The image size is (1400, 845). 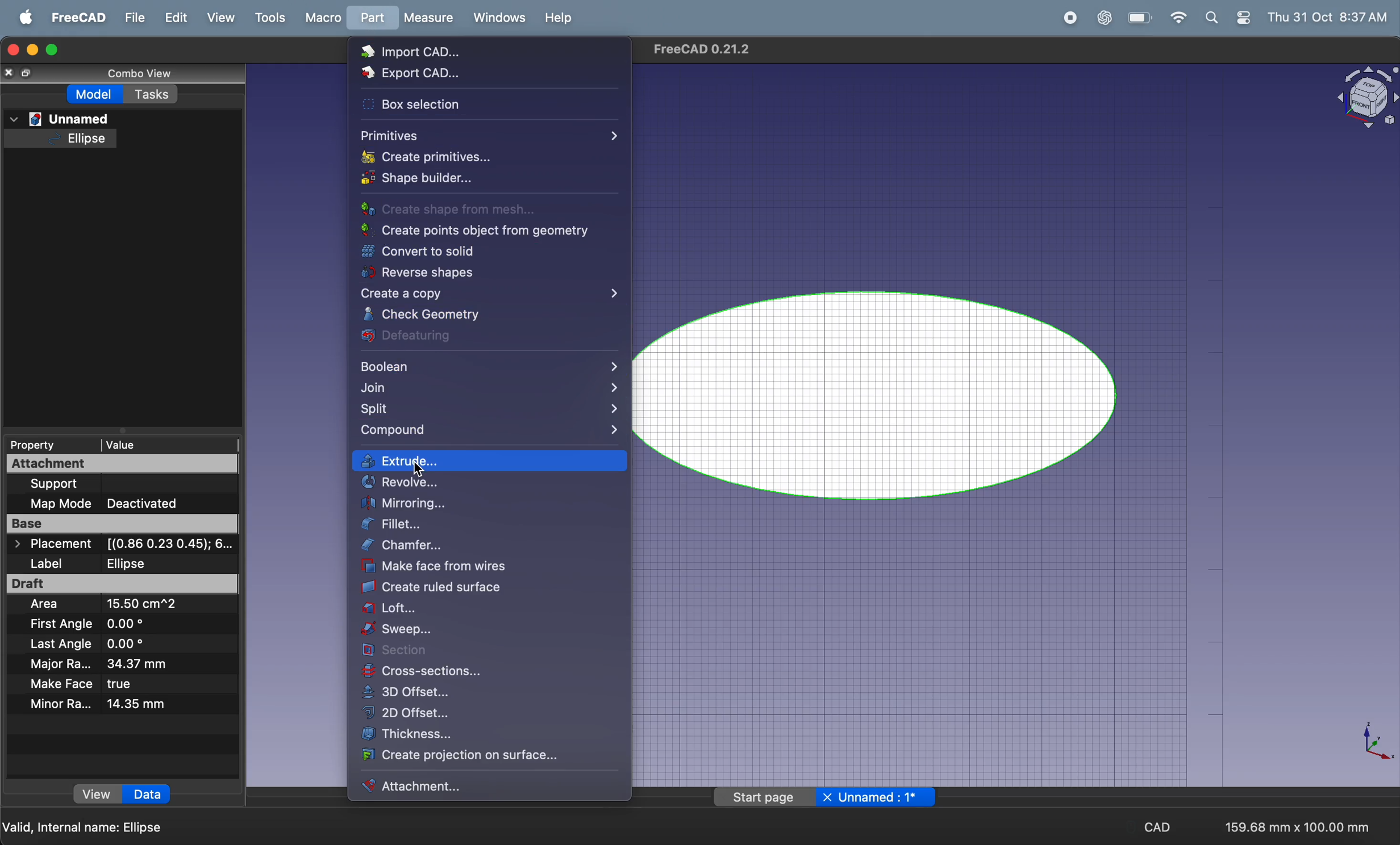 I want to click on support, so click(x=56, y=485).